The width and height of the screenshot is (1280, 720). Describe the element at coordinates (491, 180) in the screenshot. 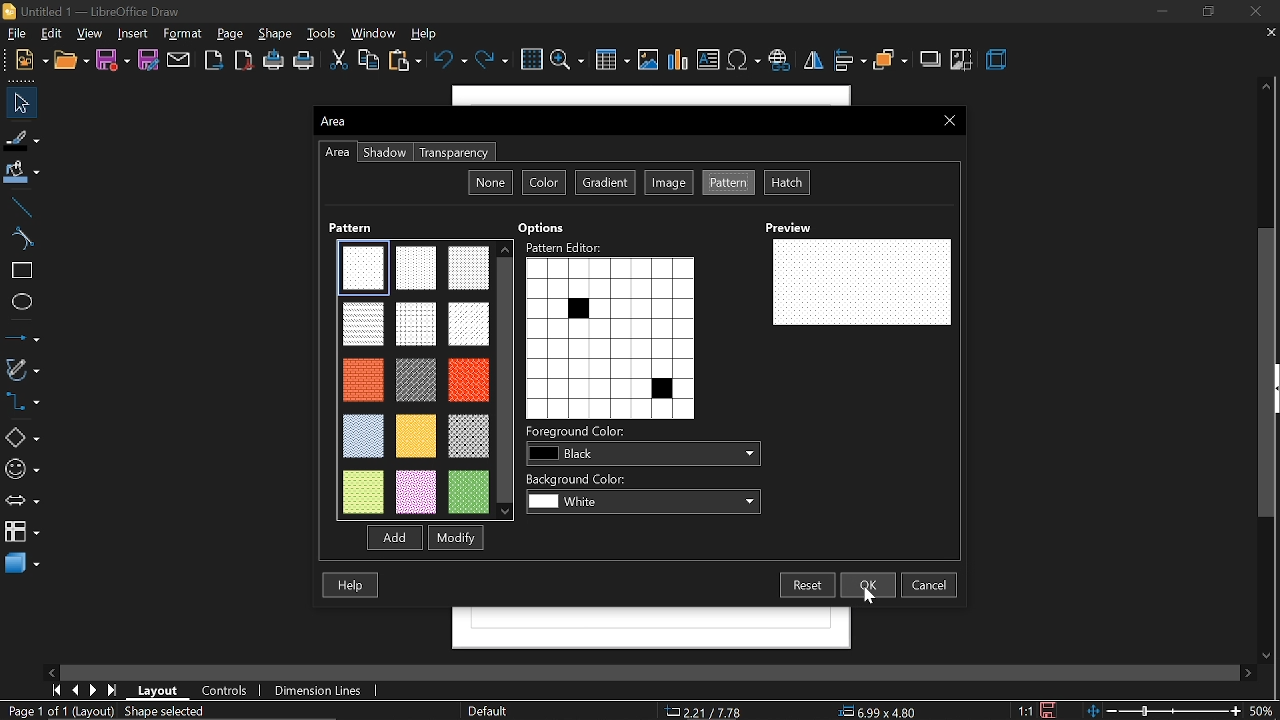

I see `none` at that location.